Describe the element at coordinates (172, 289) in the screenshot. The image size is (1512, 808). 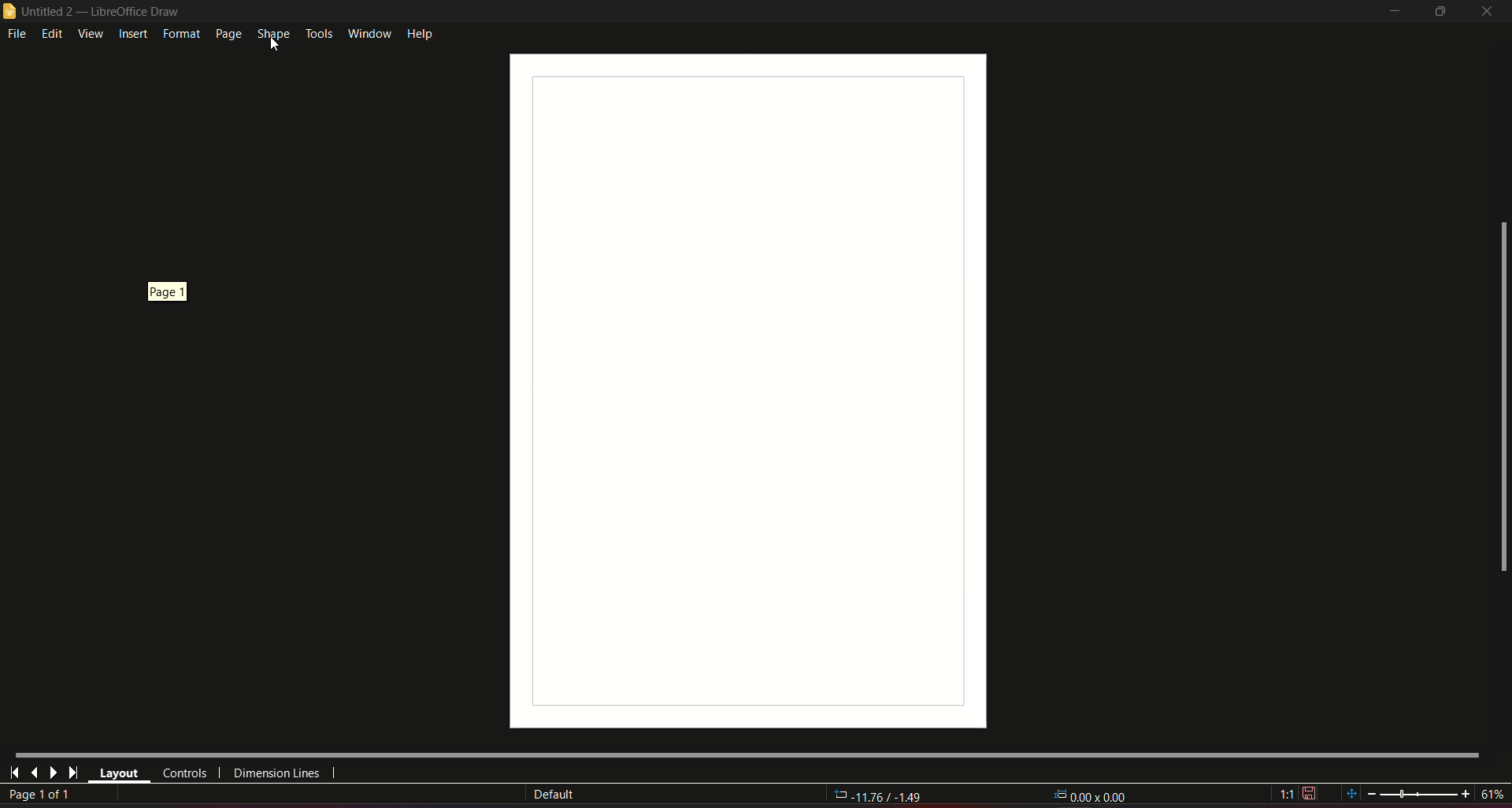
I see `page 1` at that location.